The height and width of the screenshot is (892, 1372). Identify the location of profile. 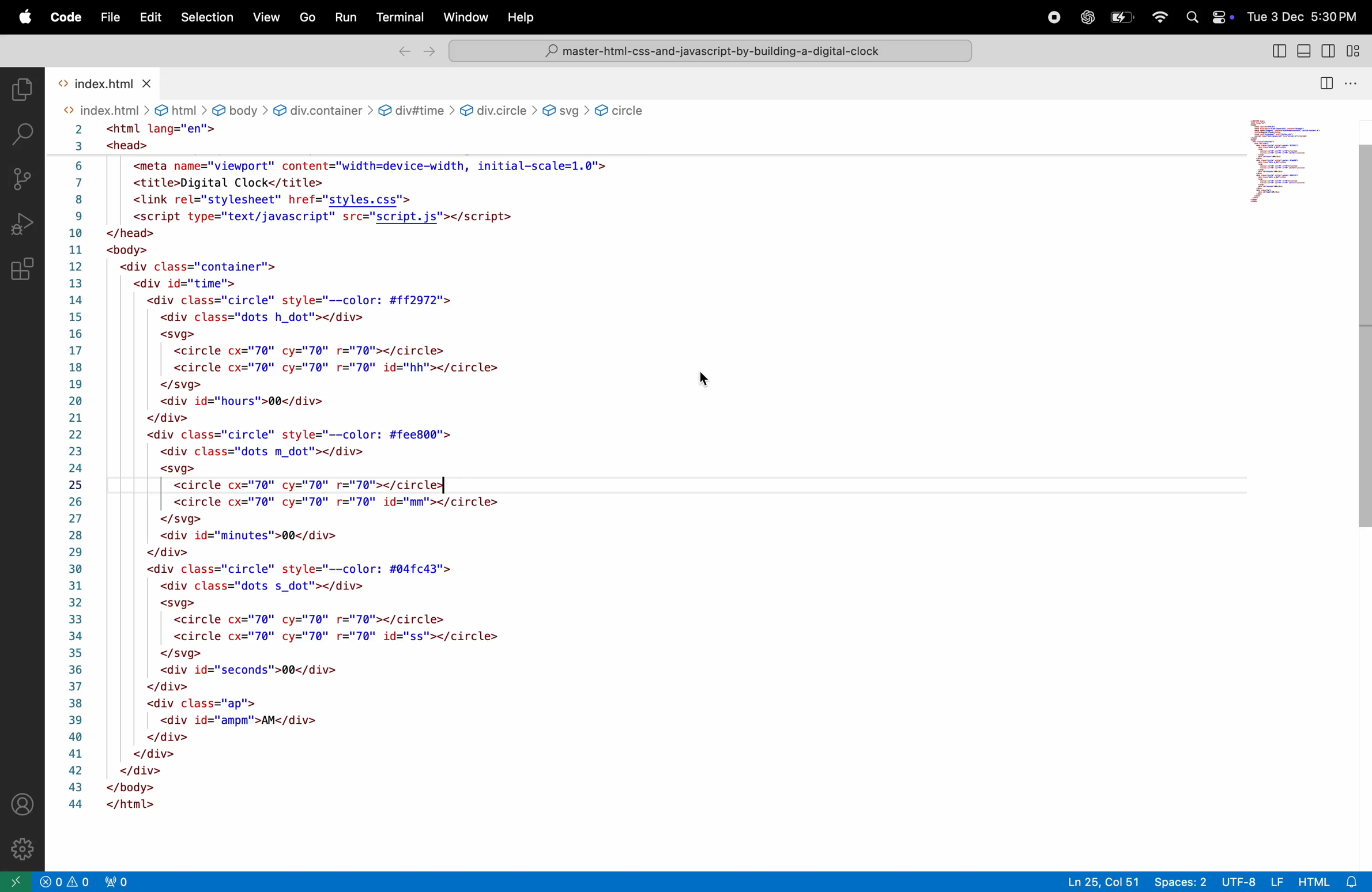
(20, 803).